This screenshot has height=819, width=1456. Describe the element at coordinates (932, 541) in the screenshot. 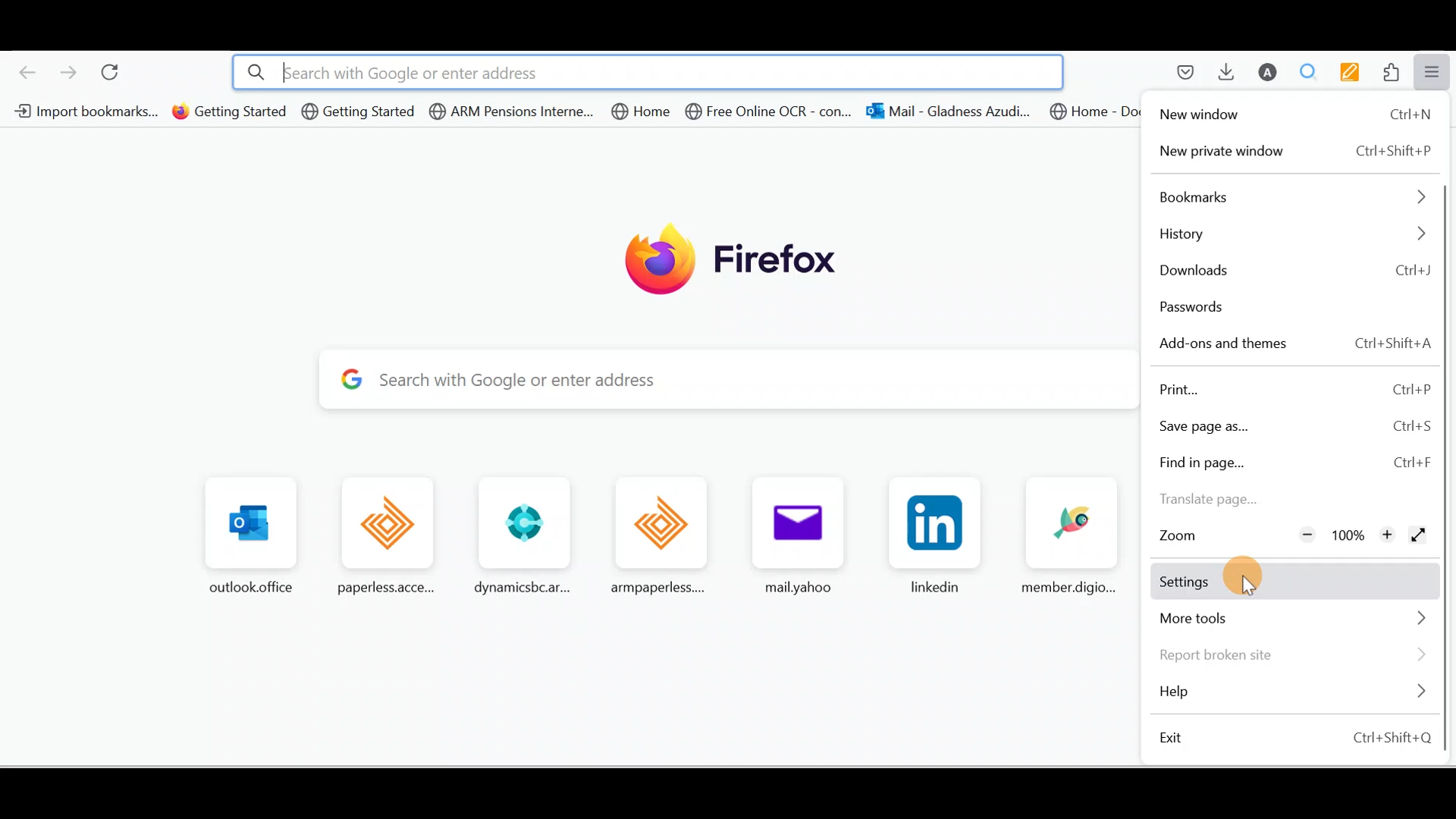

I see `linkedin` at that location.